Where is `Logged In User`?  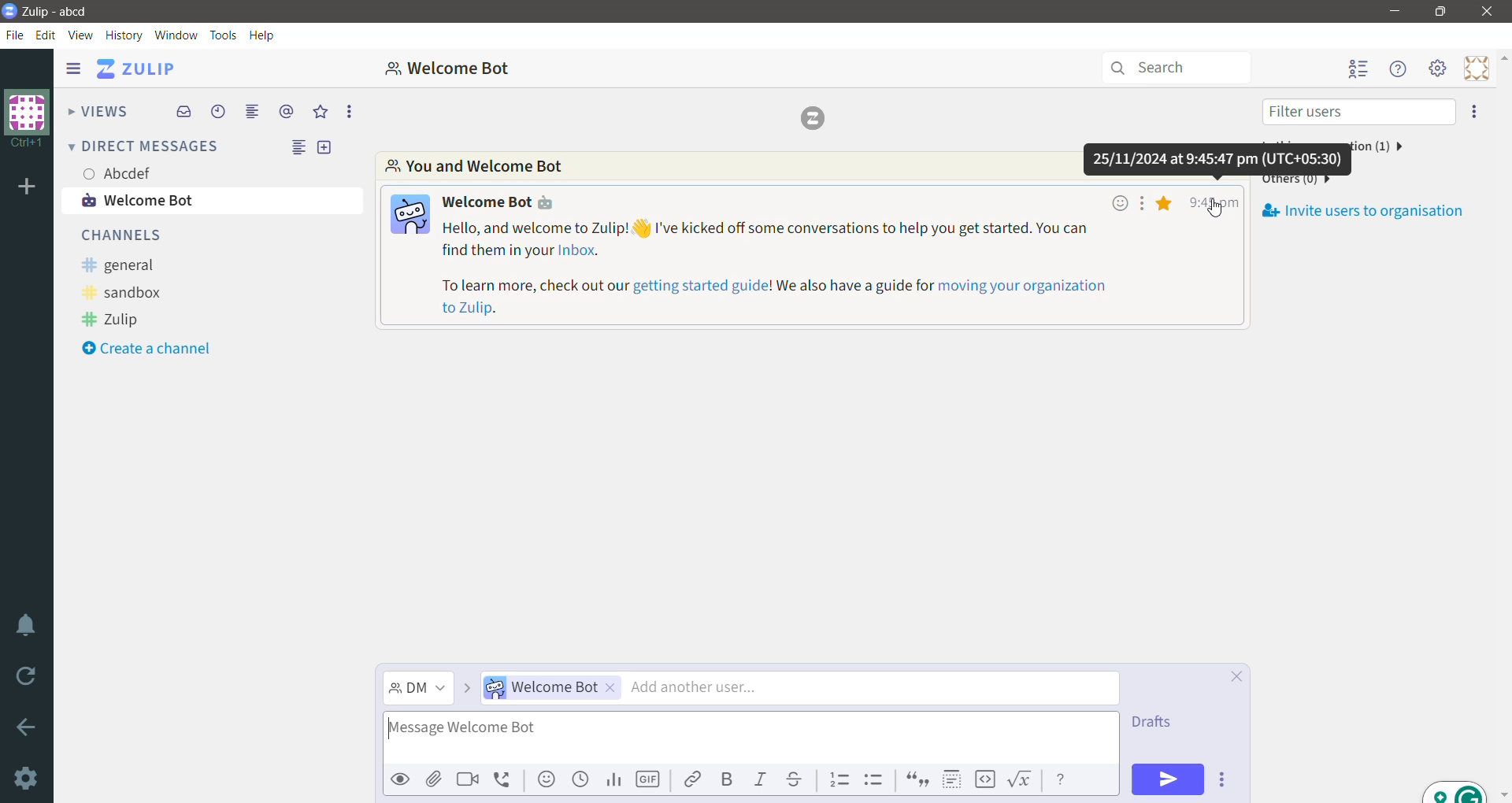 Logged In User is located at coordinates (121, 174).